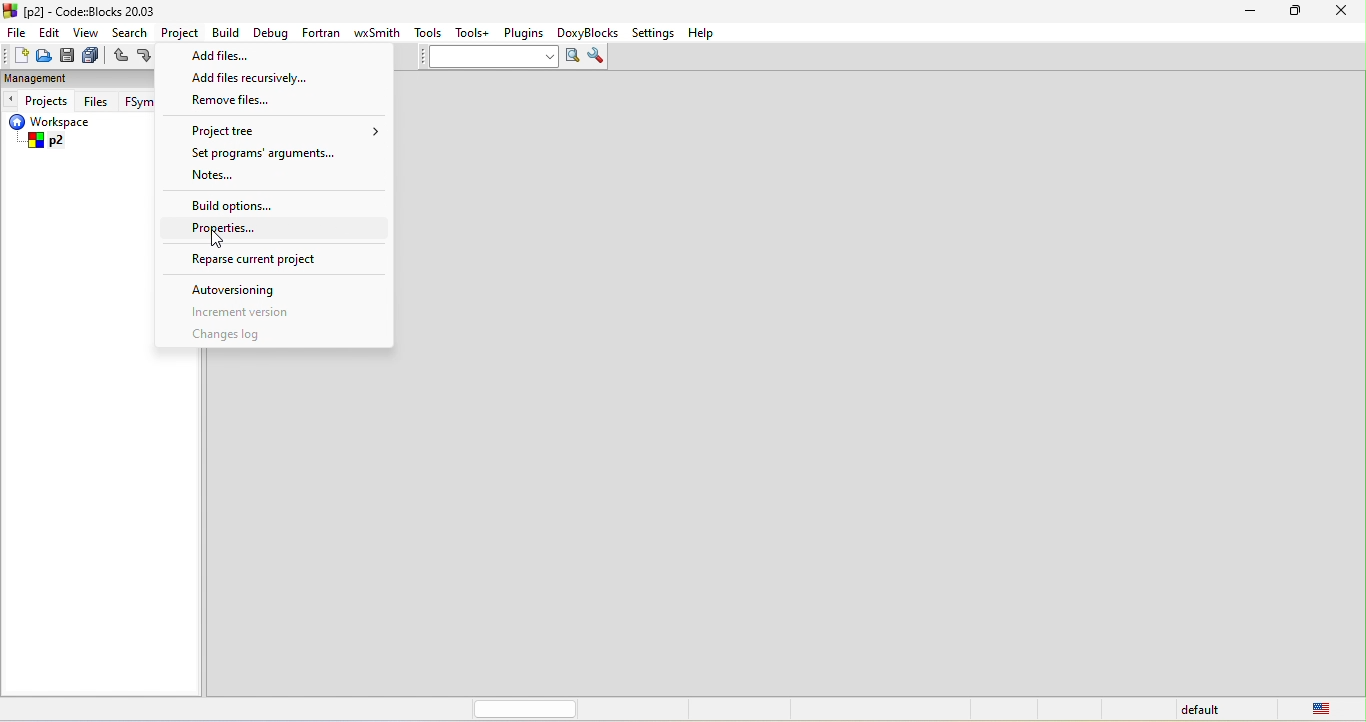 The image size is (1366, 722). I want to click on help, so click(710, 34).